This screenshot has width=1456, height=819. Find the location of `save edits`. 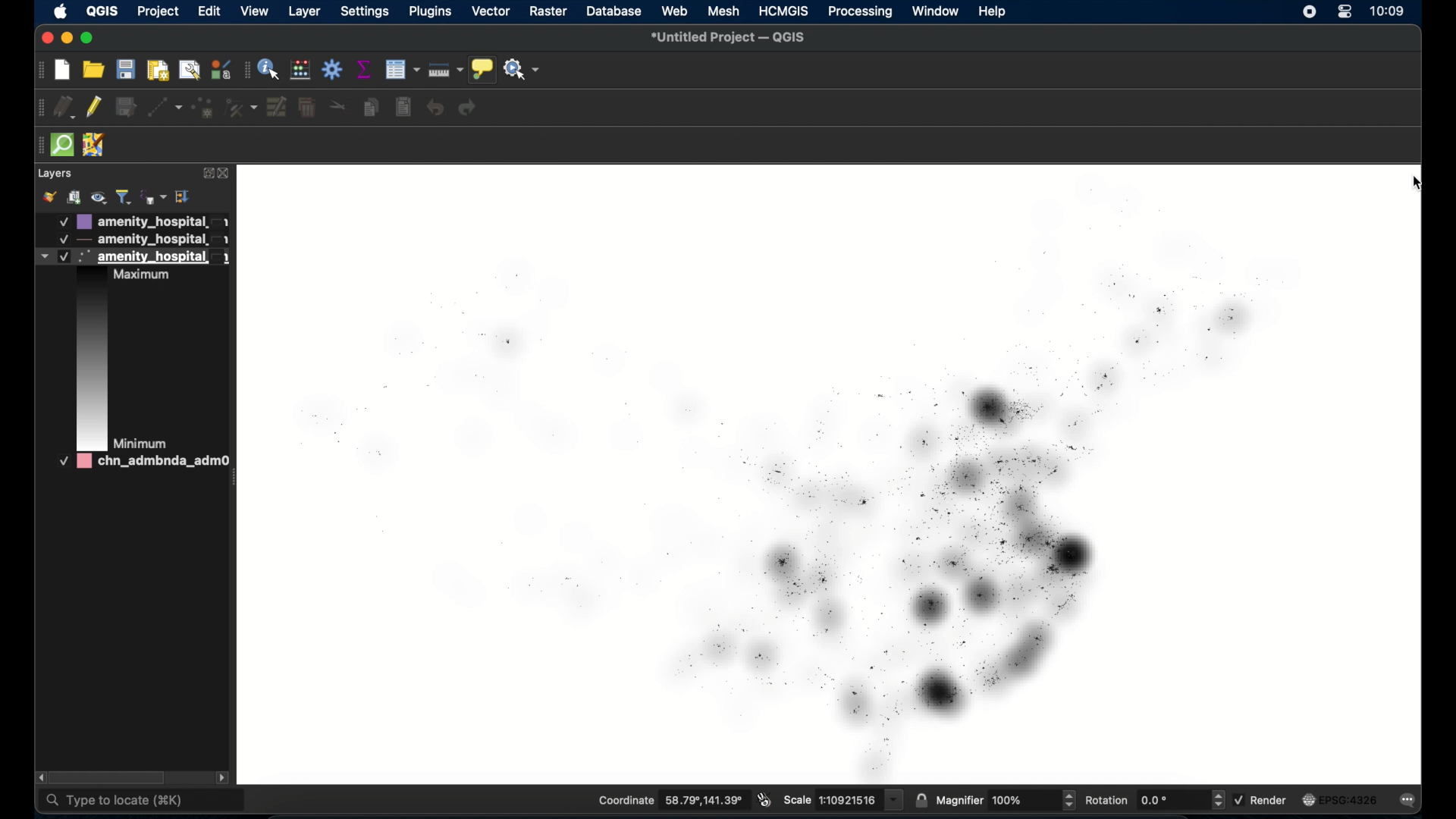

save edits is located at coordinates (127, 108).